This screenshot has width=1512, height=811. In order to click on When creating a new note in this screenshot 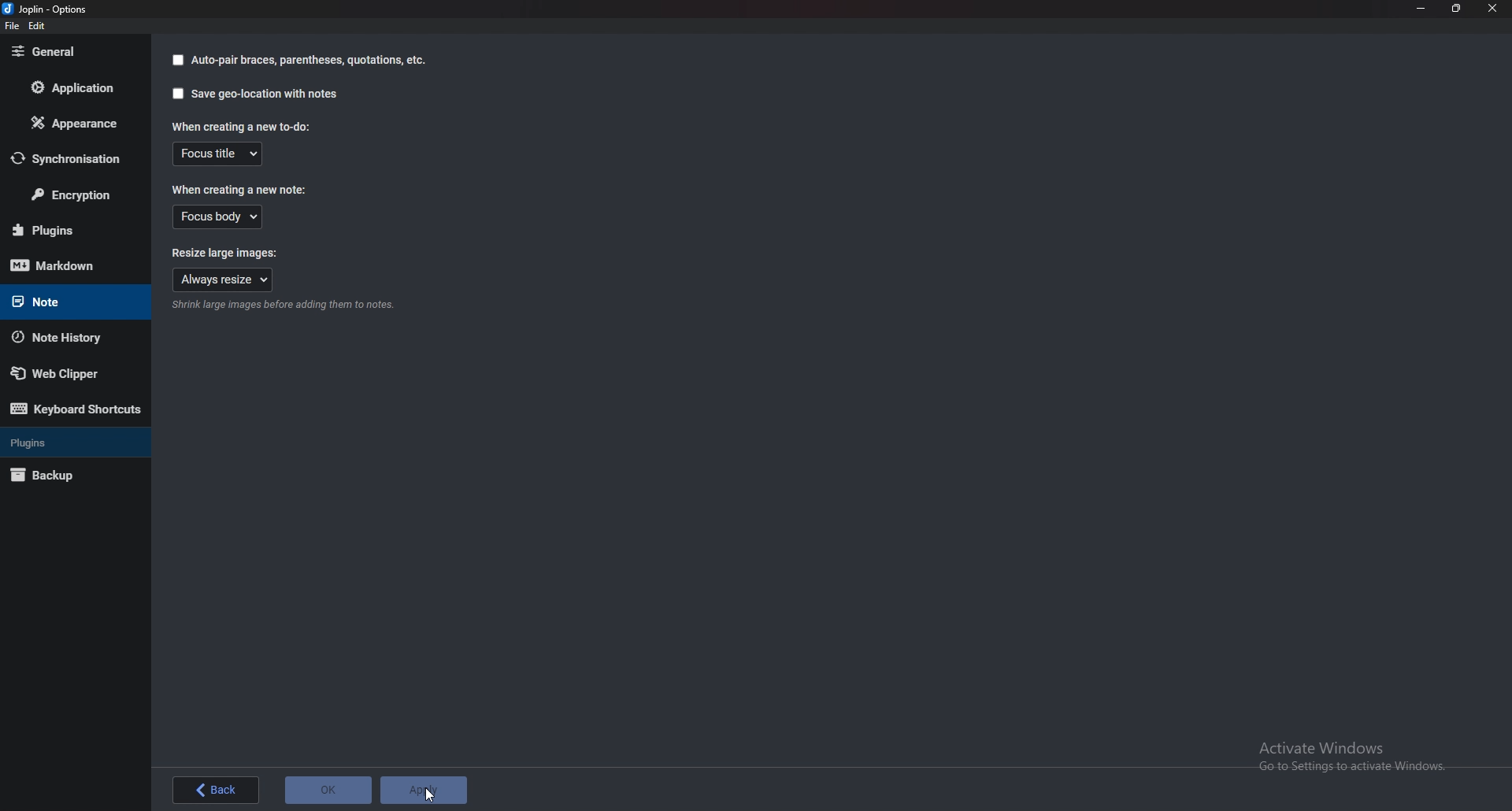, I will do `click(240, 188)`.